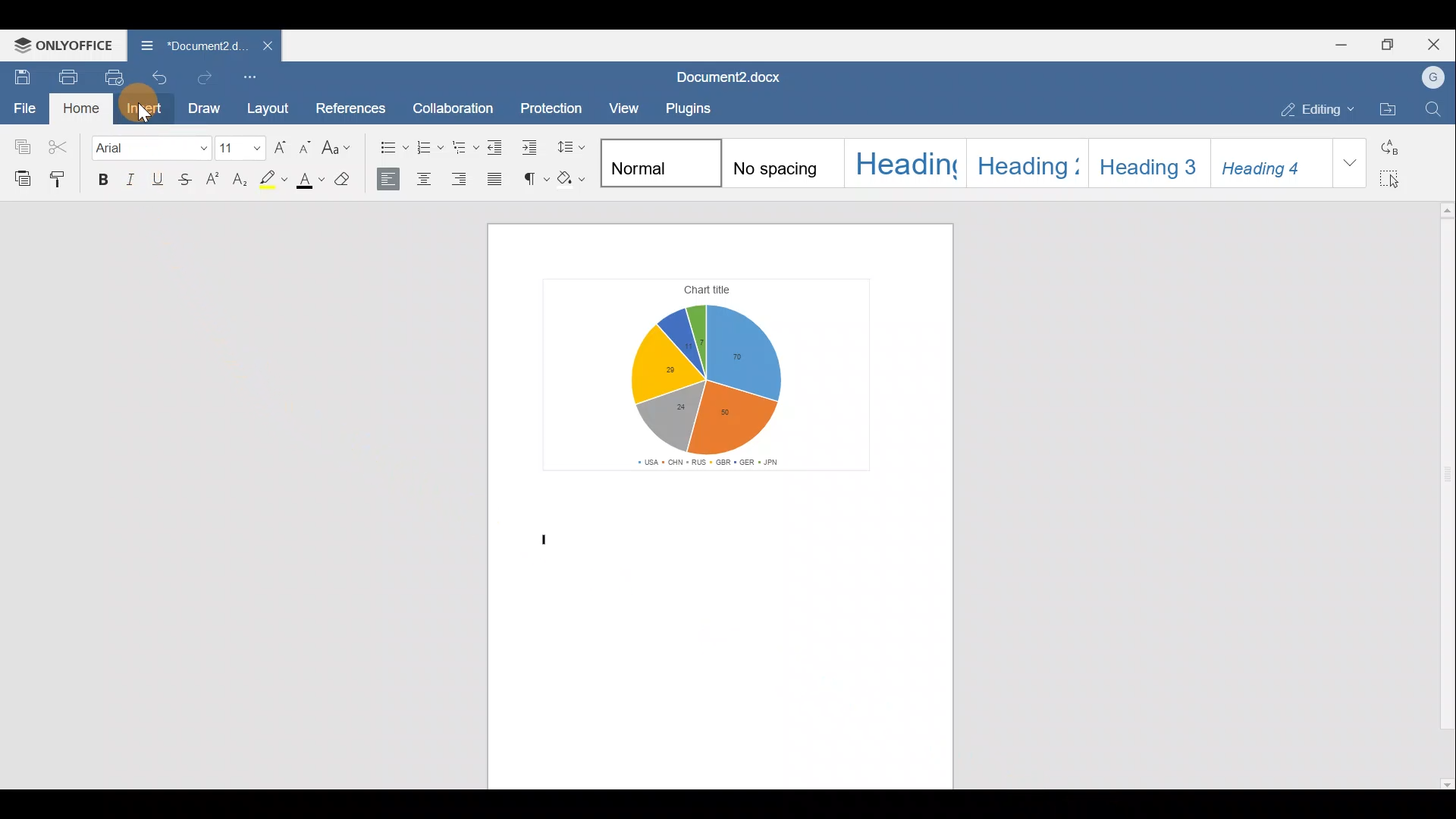 This screenshot has width=1456, height=819. Describe the element at coordinates (1397, 178) in the screenshot. I see `Select all` at that location.